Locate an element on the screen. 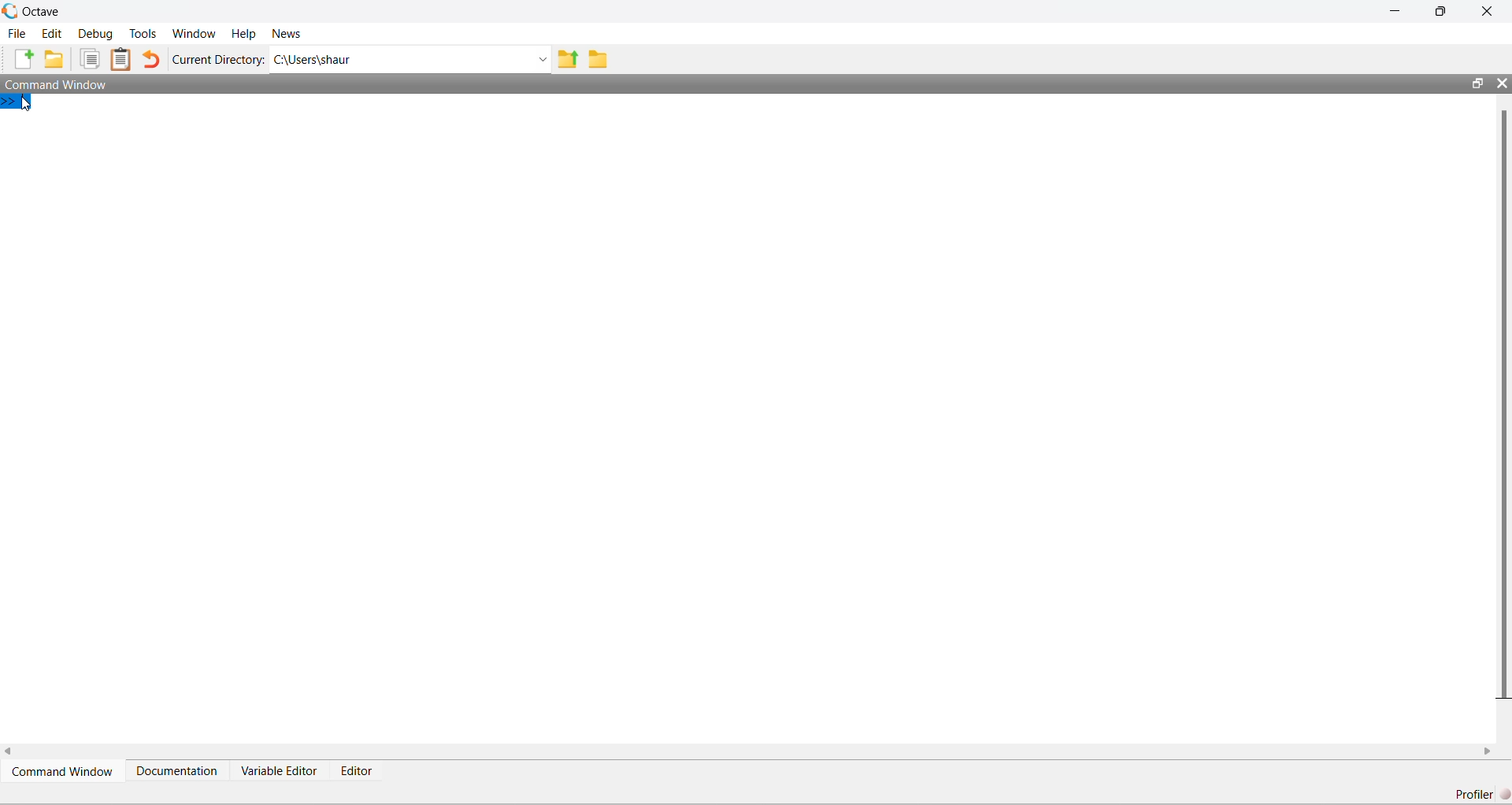 Image resolution: width=1512 pixels, height=805 pixels. New File is located at coordinates (22, 59).